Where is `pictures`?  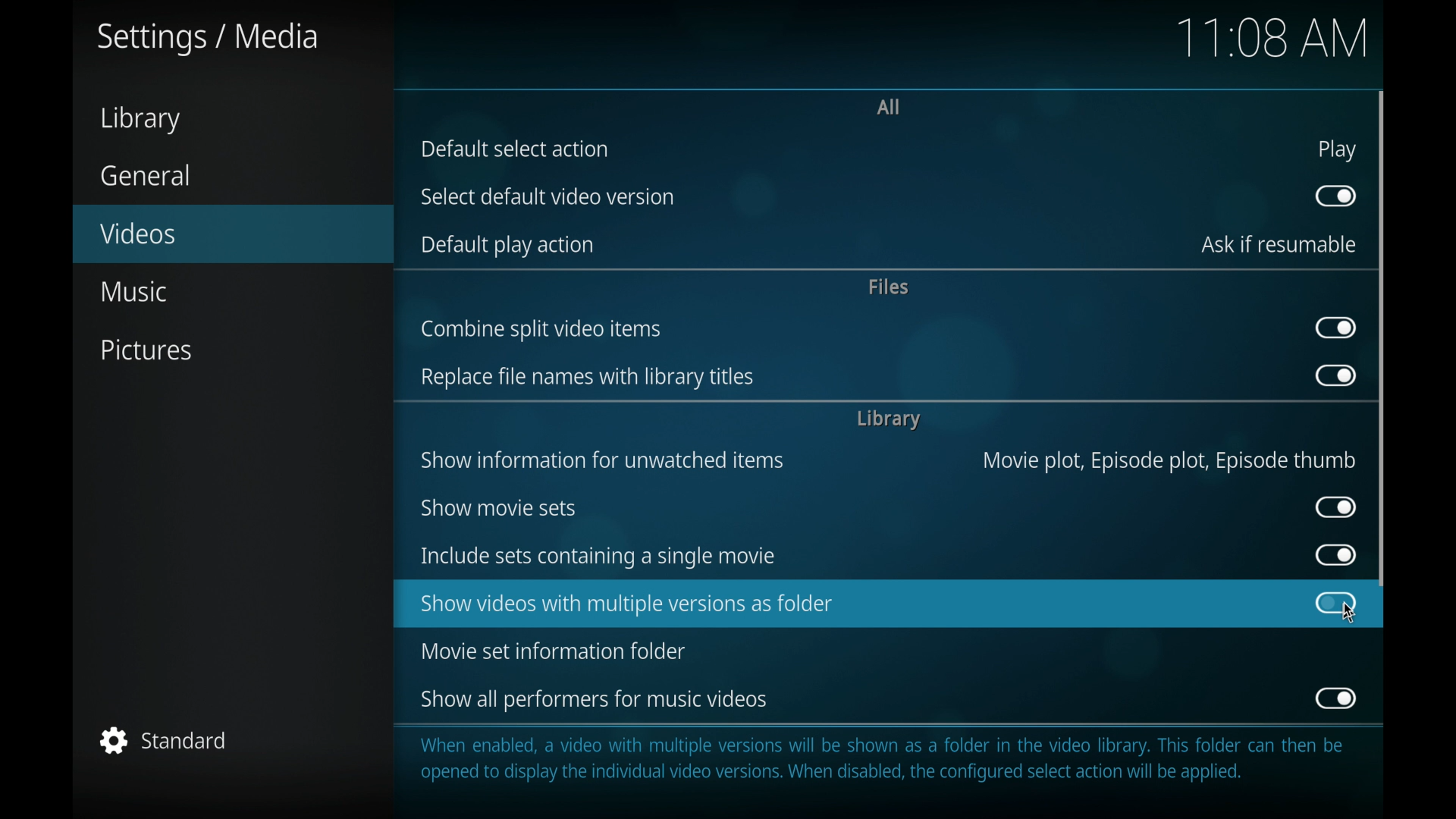
pictures is located at coordinates (145, 350).